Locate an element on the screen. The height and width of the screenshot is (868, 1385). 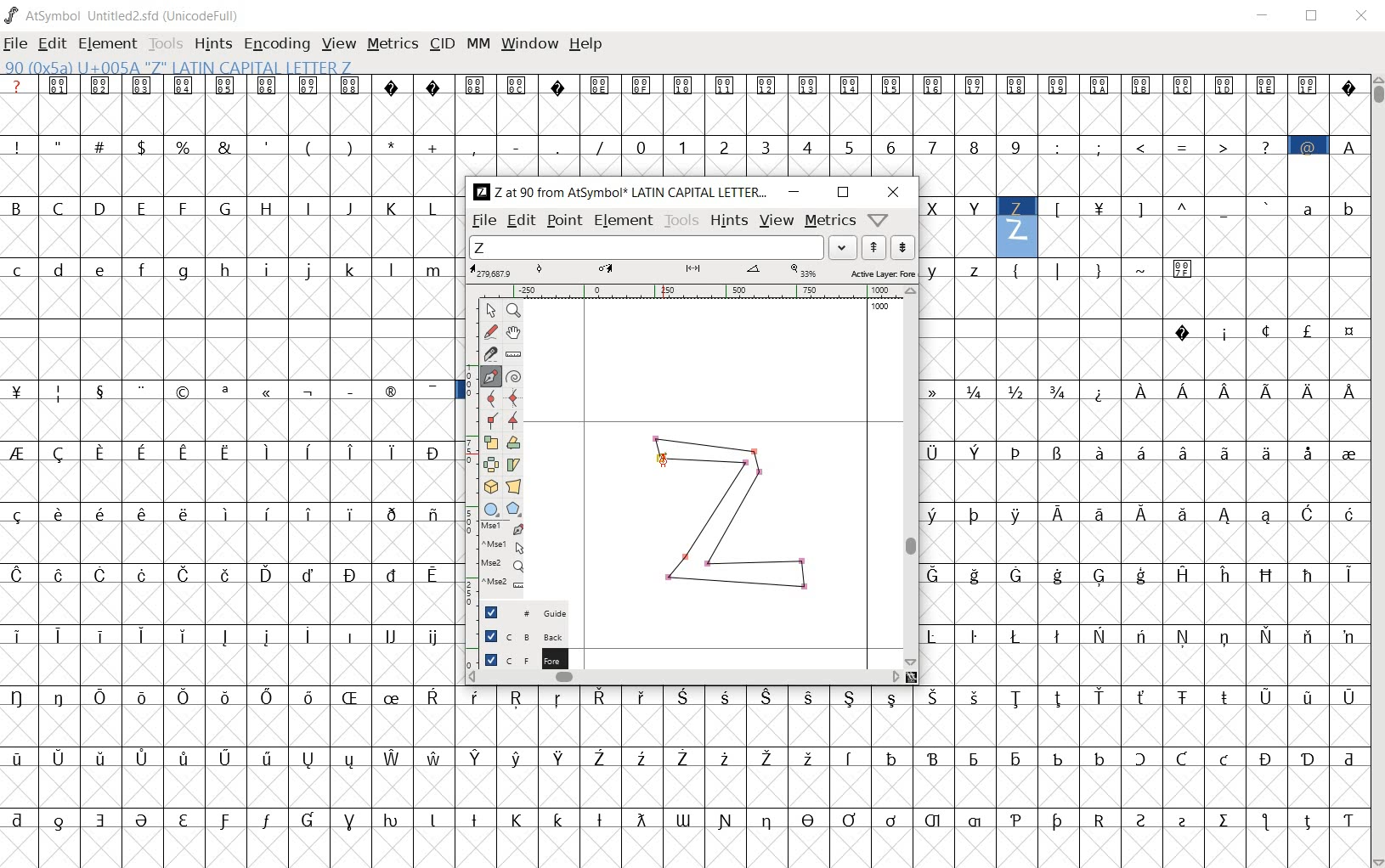
close is located at coordinates (1362, 14).